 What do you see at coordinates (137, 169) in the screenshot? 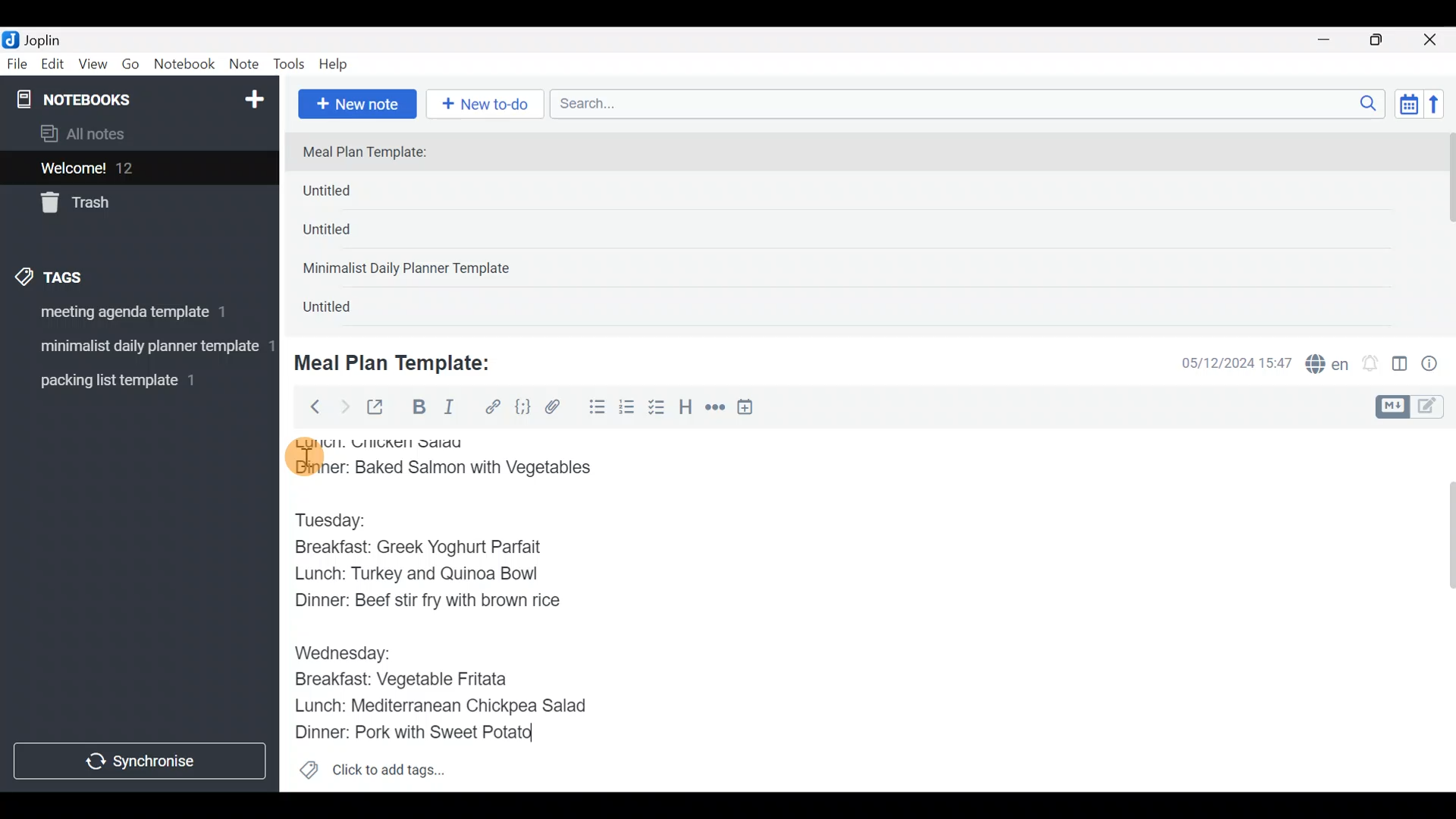
I see `Welcome!` at bounding box center [137, 169].